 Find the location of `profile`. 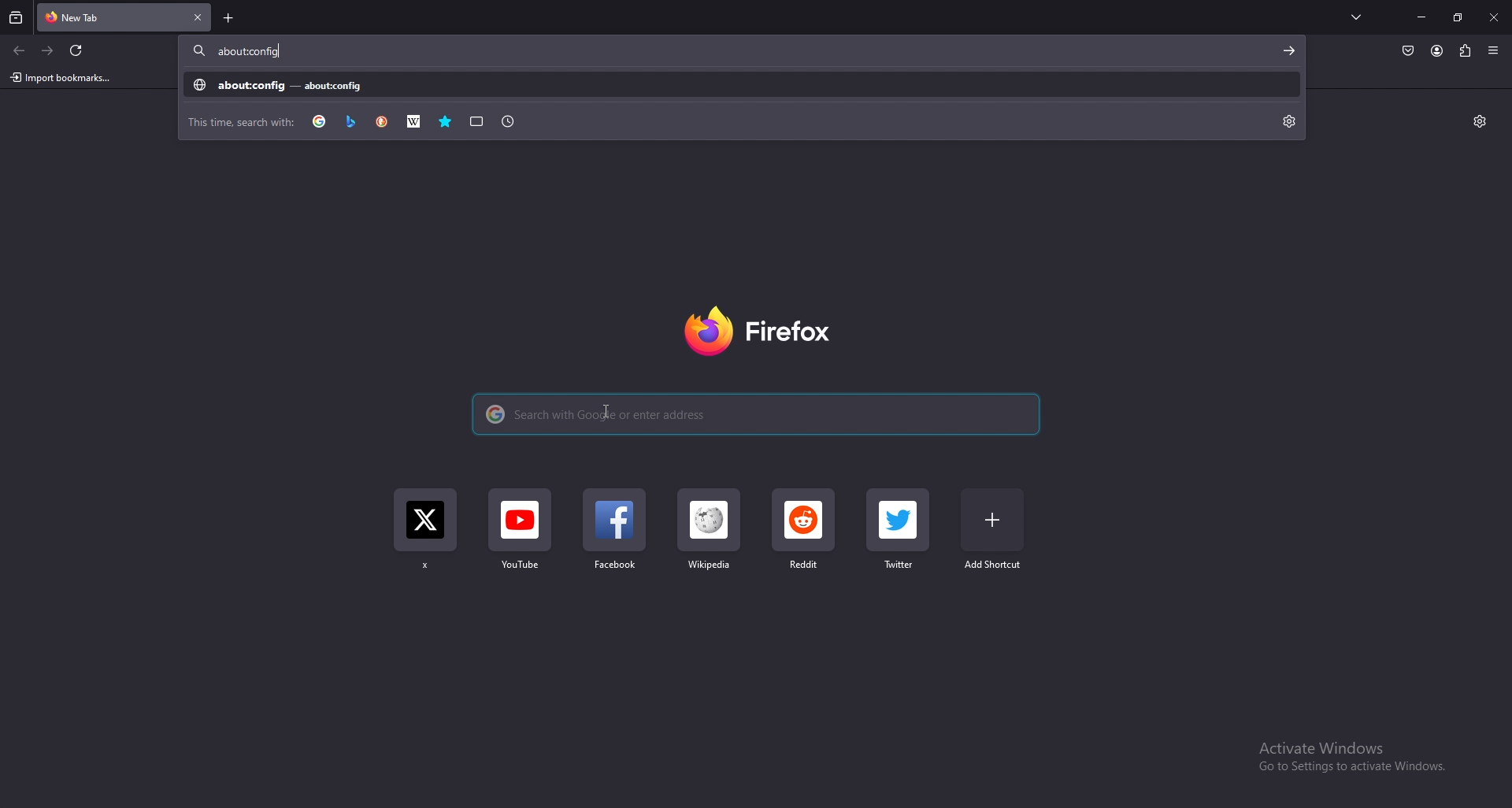

profile is located at coordinates (1436, 51).